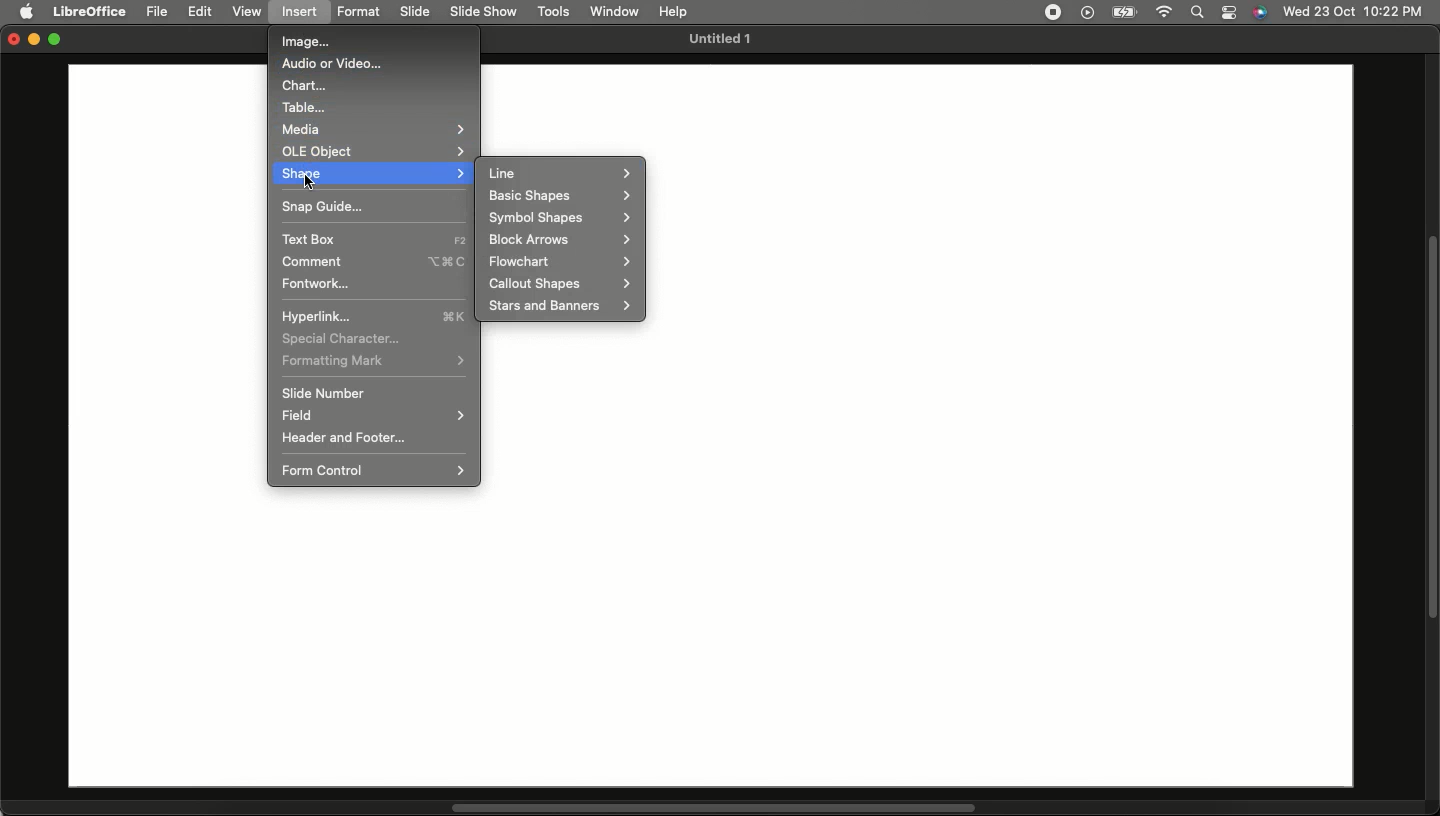  Describe the element at coordinates (373, 360) in the screenshot. I see `Formating mark` at that location.